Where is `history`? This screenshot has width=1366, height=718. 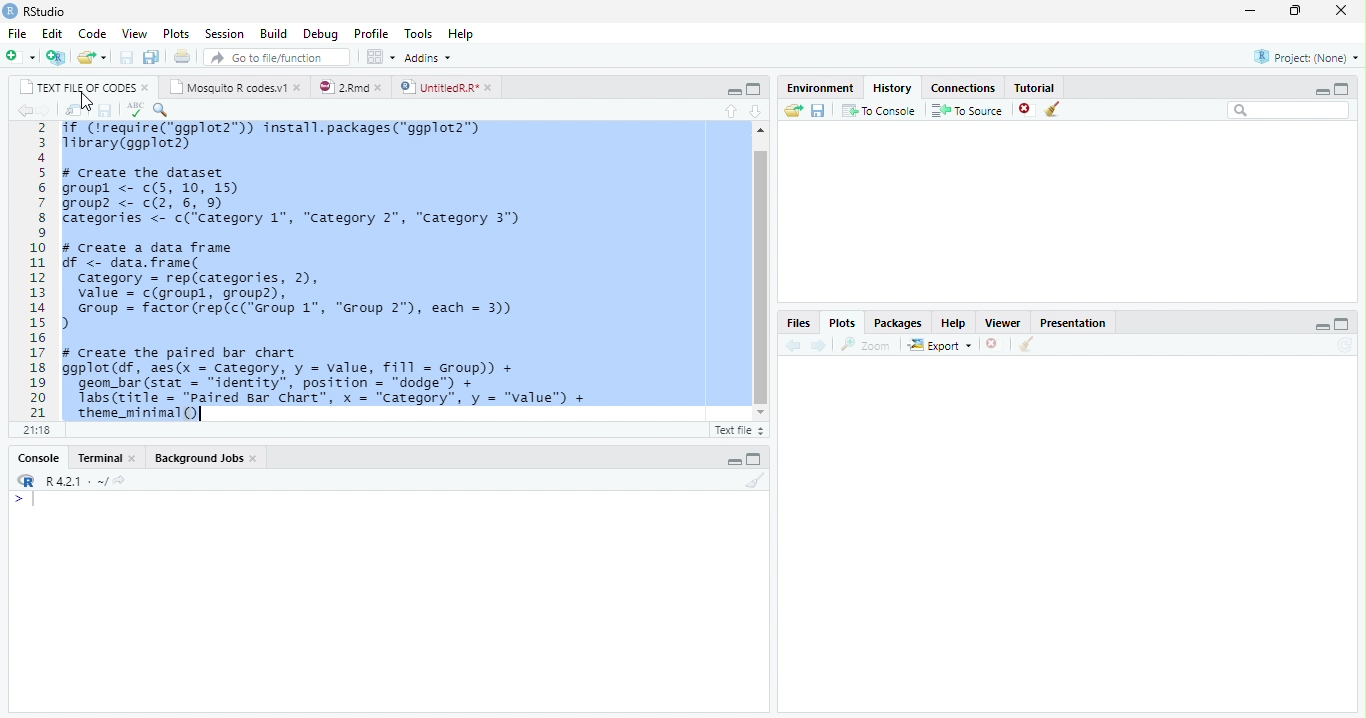
history is located at coordinates (891, 87).